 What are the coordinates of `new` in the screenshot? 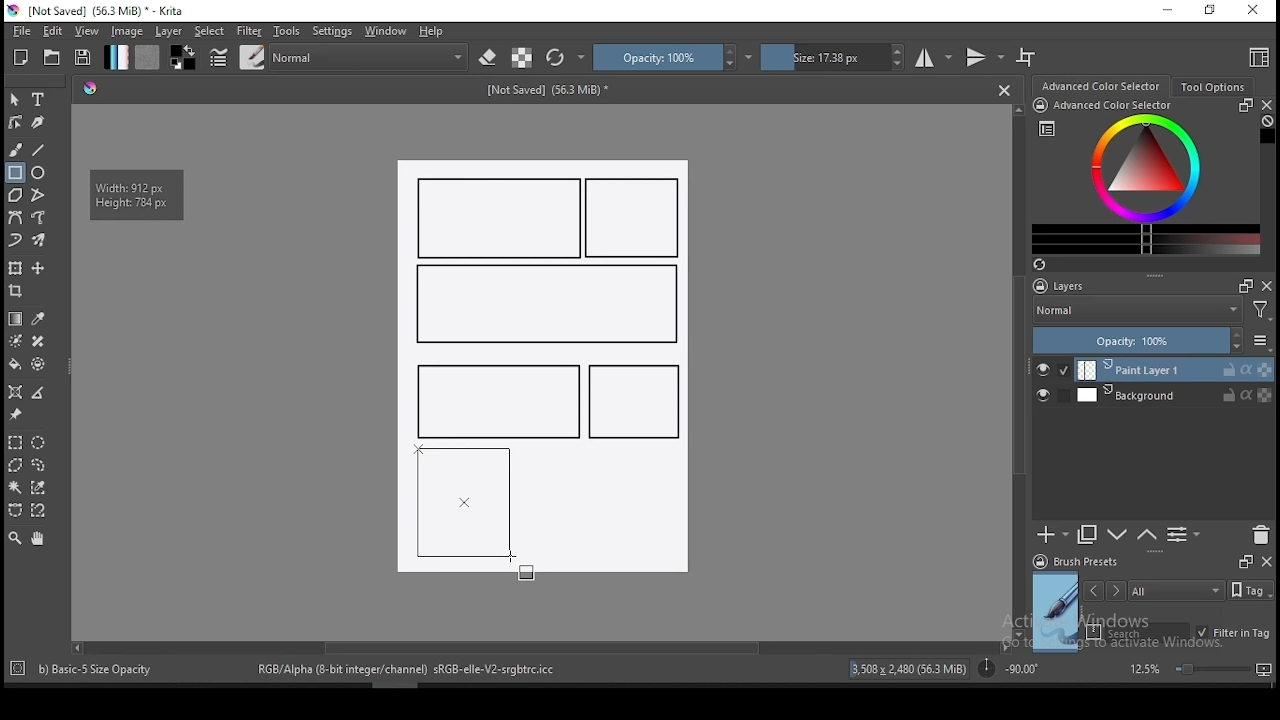 It's located at (21, 57).